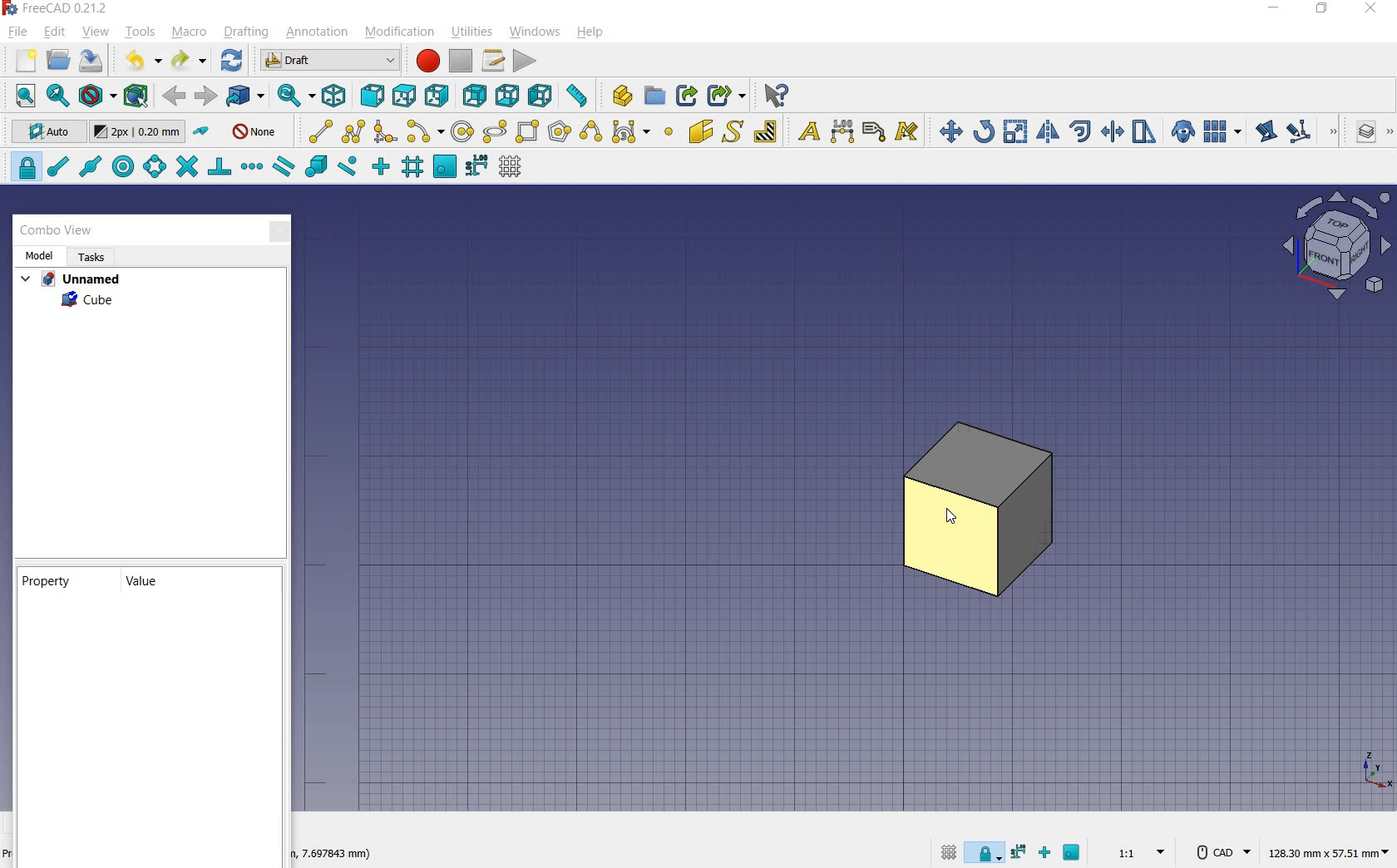 This screenshot has height=868, width=1397. Describe the element at coordinates (1140, 852) in the screenshot. I see `set scale` at that location.